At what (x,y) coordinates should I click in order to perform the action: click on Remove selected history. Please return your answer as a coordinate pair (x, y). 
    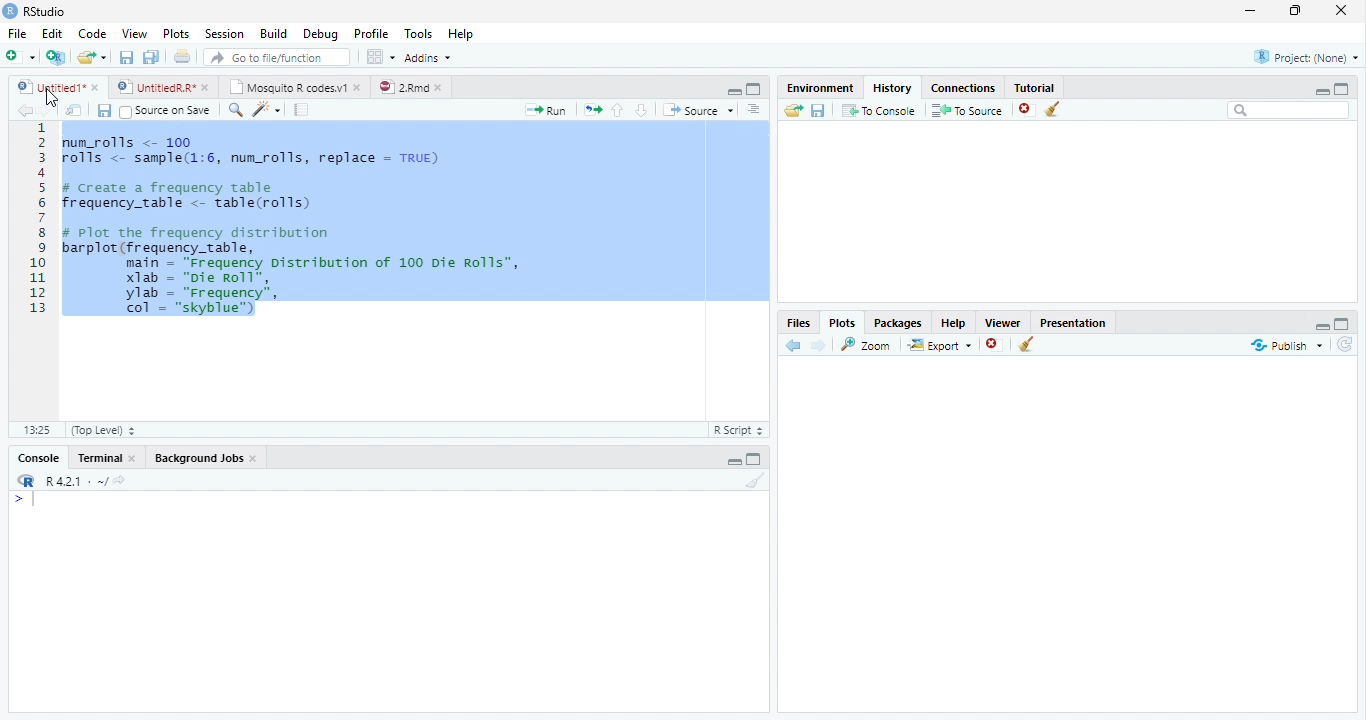
    Looking at the image, I should click on (1025, 109).